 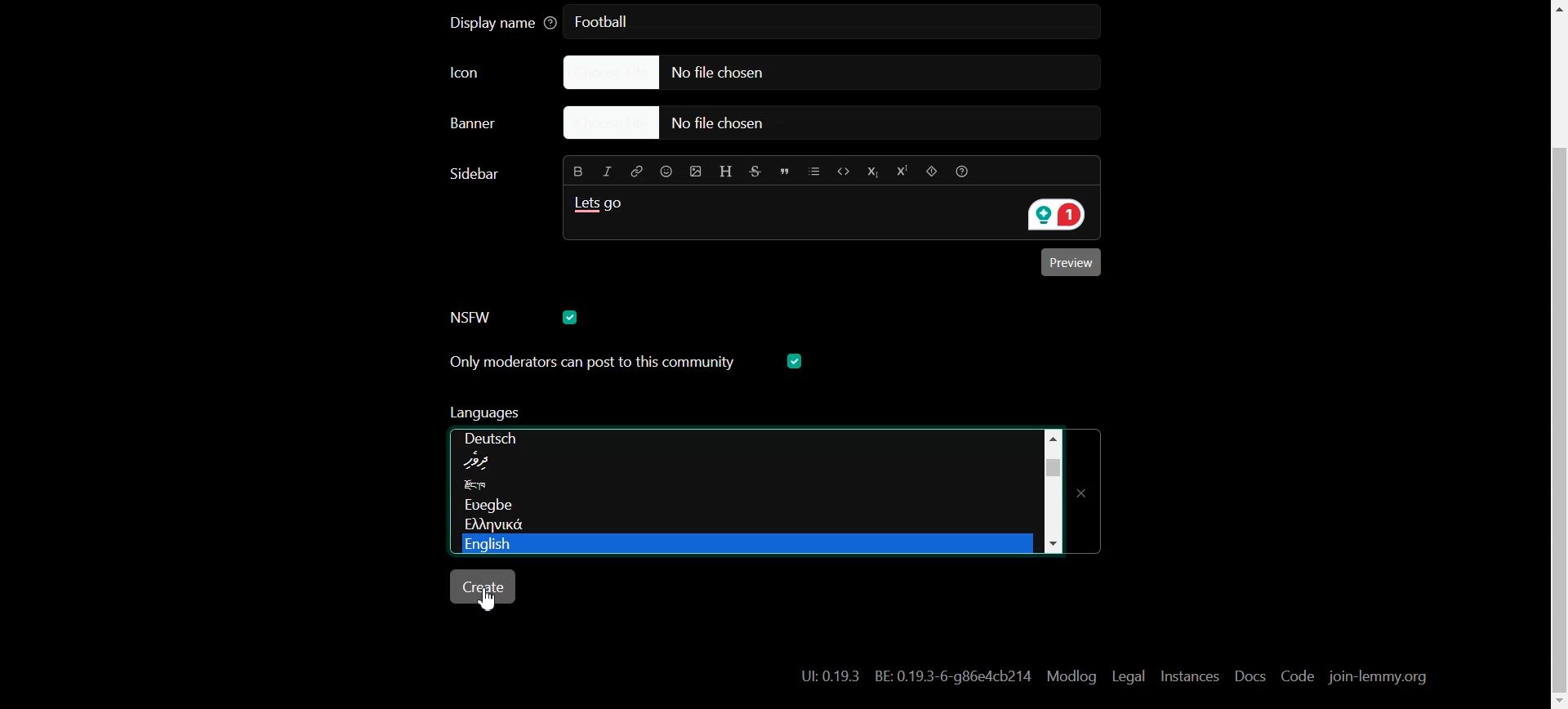 What do you see at coordinates (901, 172) in the screenshot?
I see `Superscript` at bounding box center [901, 172].